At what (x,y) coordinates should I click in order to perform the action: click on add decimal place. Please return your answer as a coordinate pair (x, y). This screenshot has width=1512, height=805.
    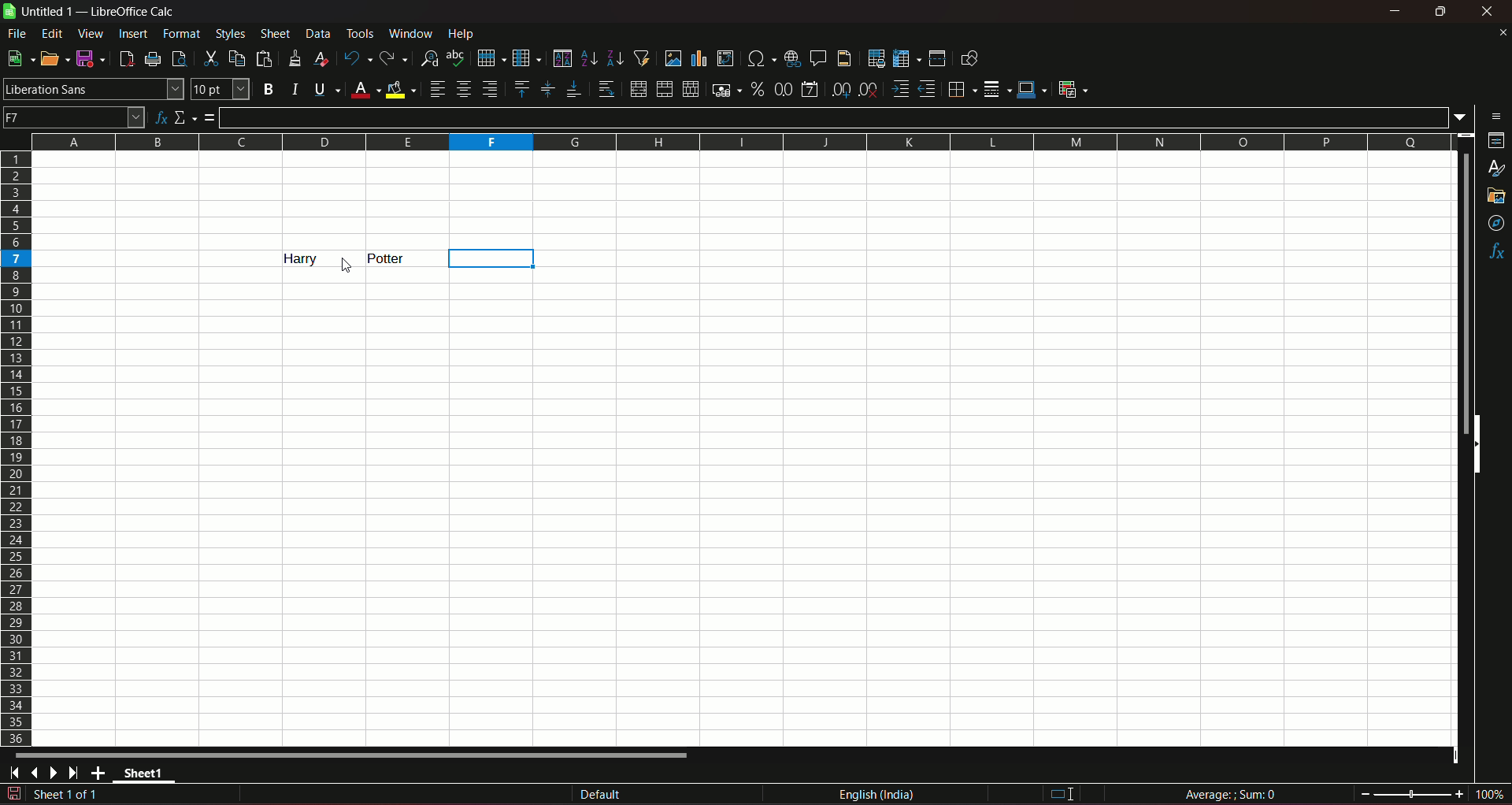
    Looking at the image, I should click on (838, 90).